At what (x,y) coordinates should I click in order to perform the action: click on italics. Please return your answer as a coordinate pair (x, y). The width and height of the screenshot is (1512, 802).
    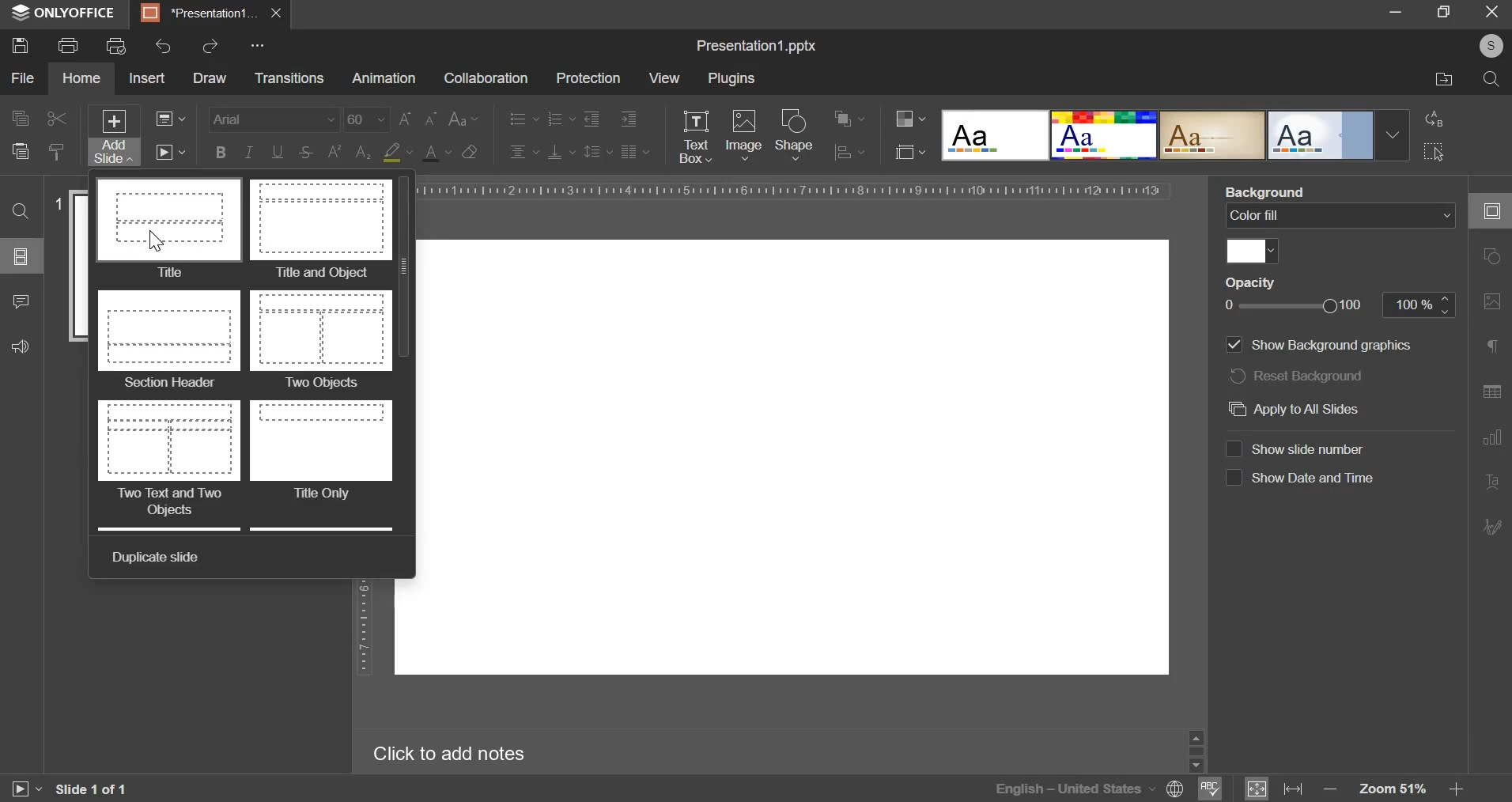
    Looking at the image, I should click on (248, 151).